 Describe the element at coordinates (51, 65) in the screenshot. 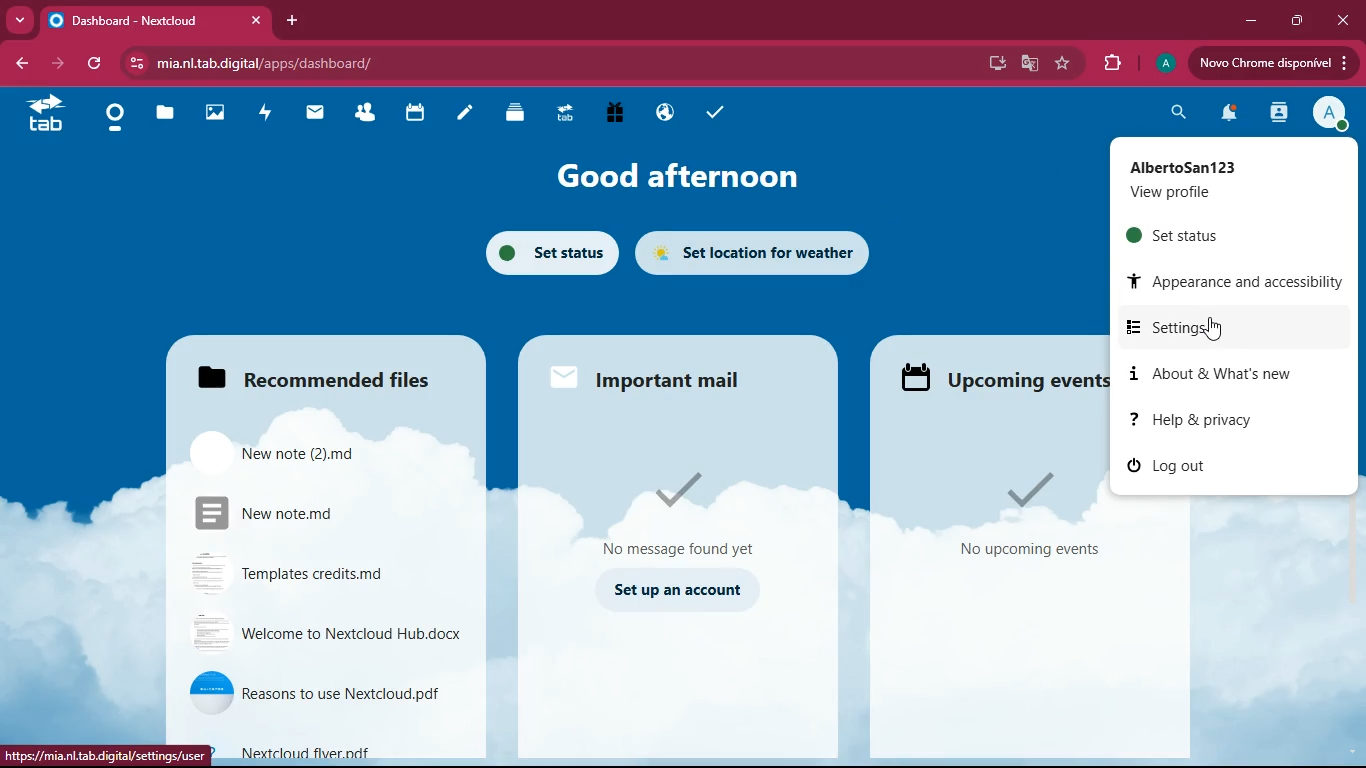

I see `forward` at that location.